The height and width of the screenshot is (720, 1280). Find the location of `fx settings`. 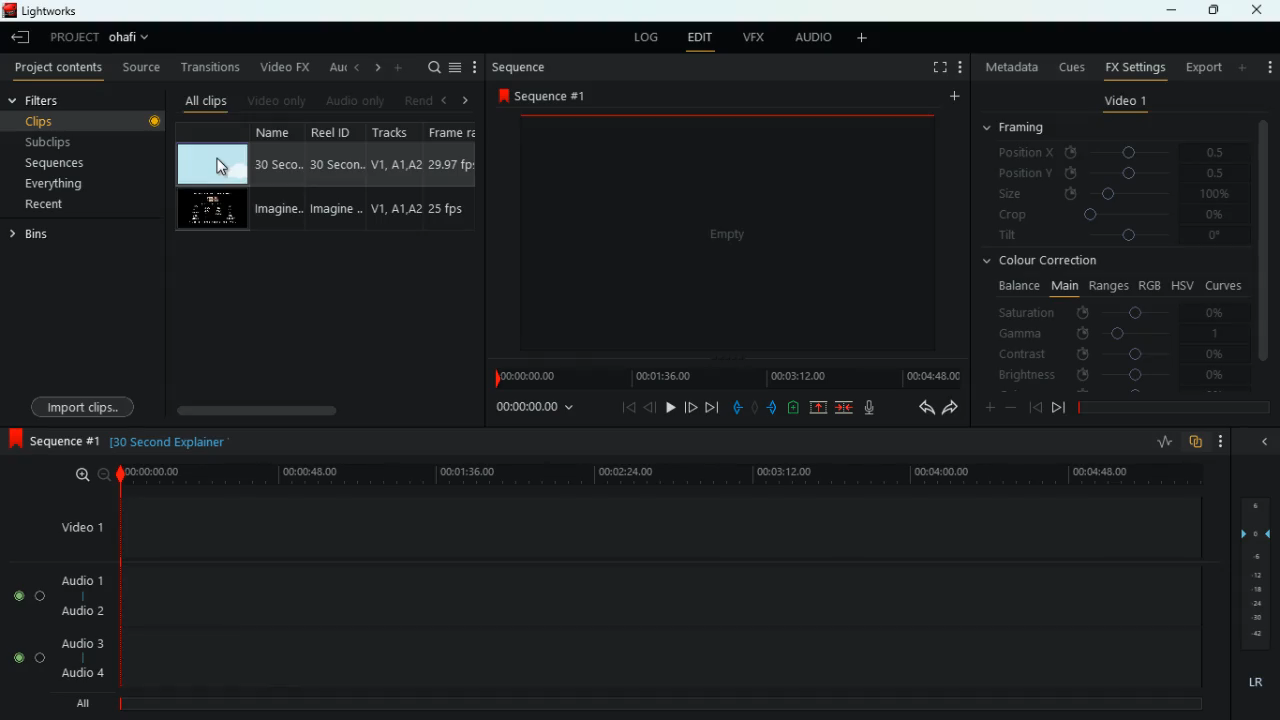

fx settings is located at coordinates (1135, 69).